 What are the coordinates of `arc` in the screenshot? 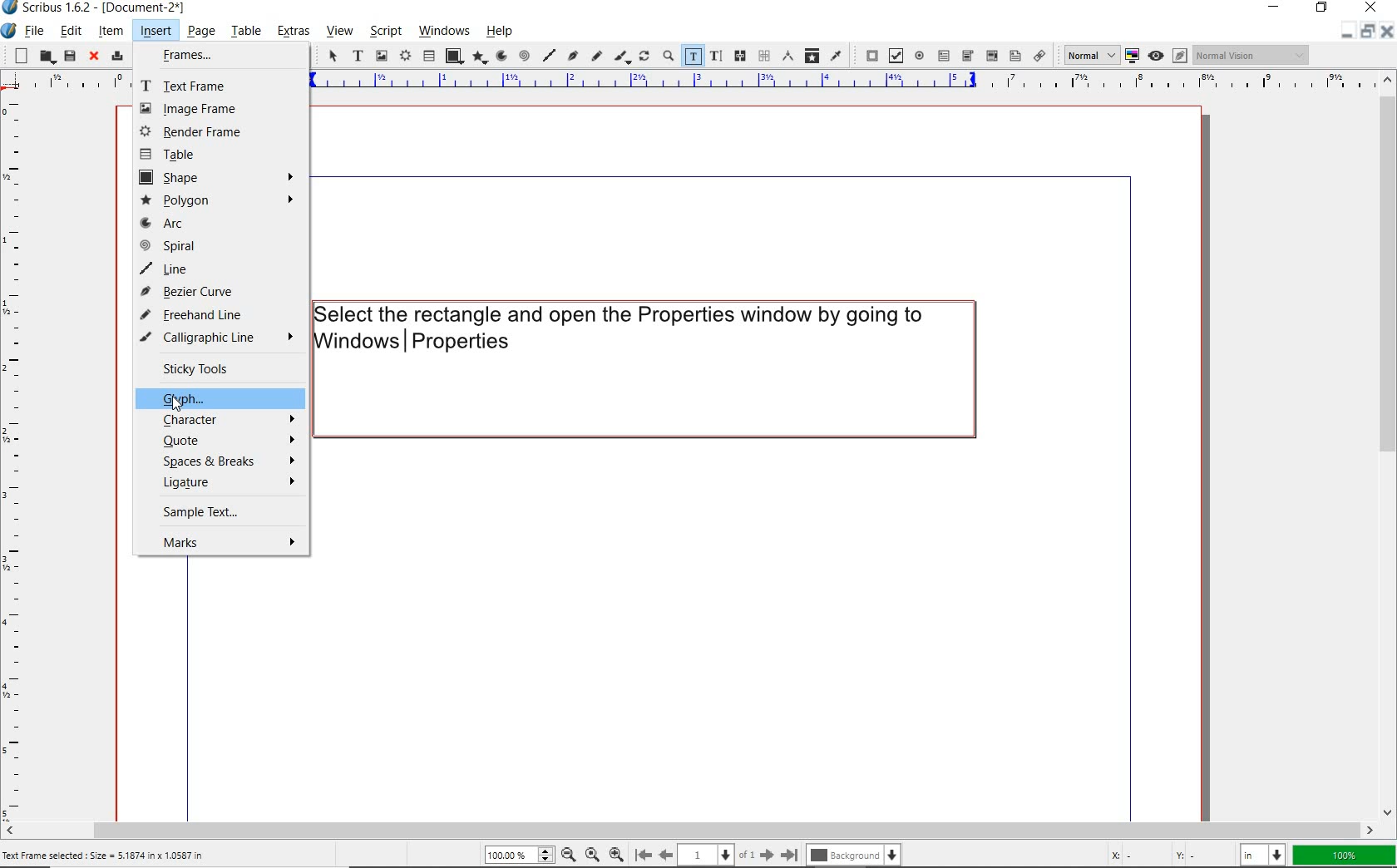 It's located at (178, 224).